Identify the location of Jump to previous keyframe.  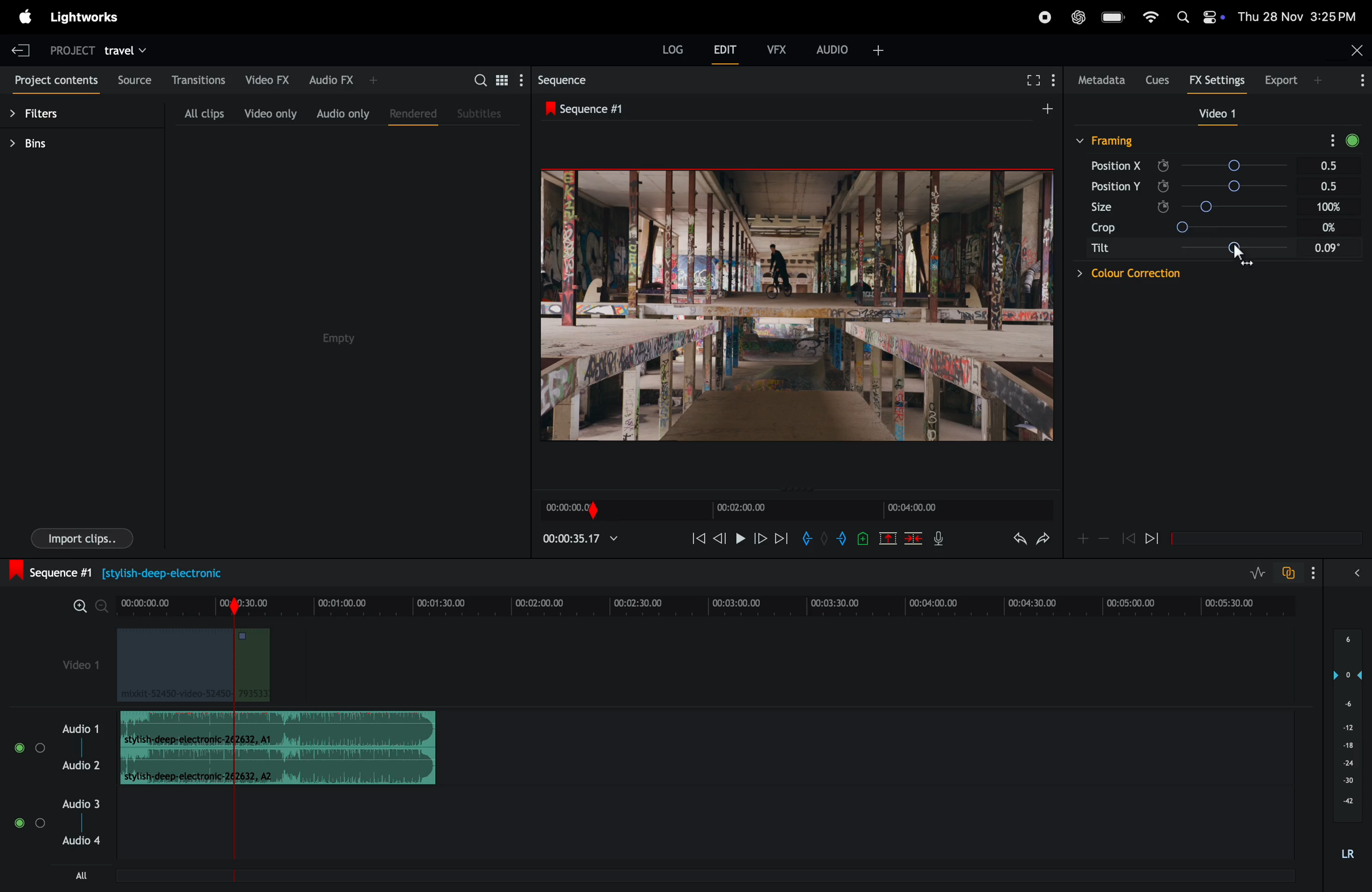
(1129, 537).